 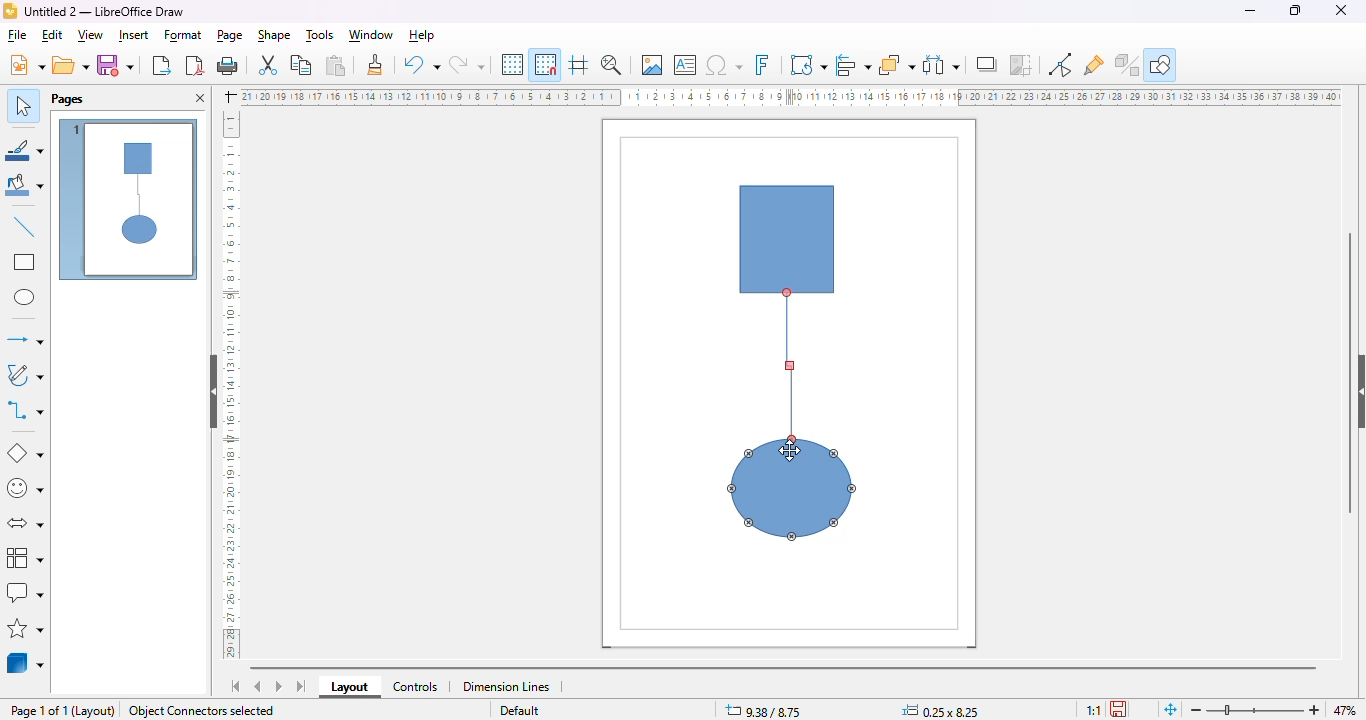 What do you see at coordinates (1295, 10) in the screenshot?
I see `maximize` at bounding box center [1295, 10].